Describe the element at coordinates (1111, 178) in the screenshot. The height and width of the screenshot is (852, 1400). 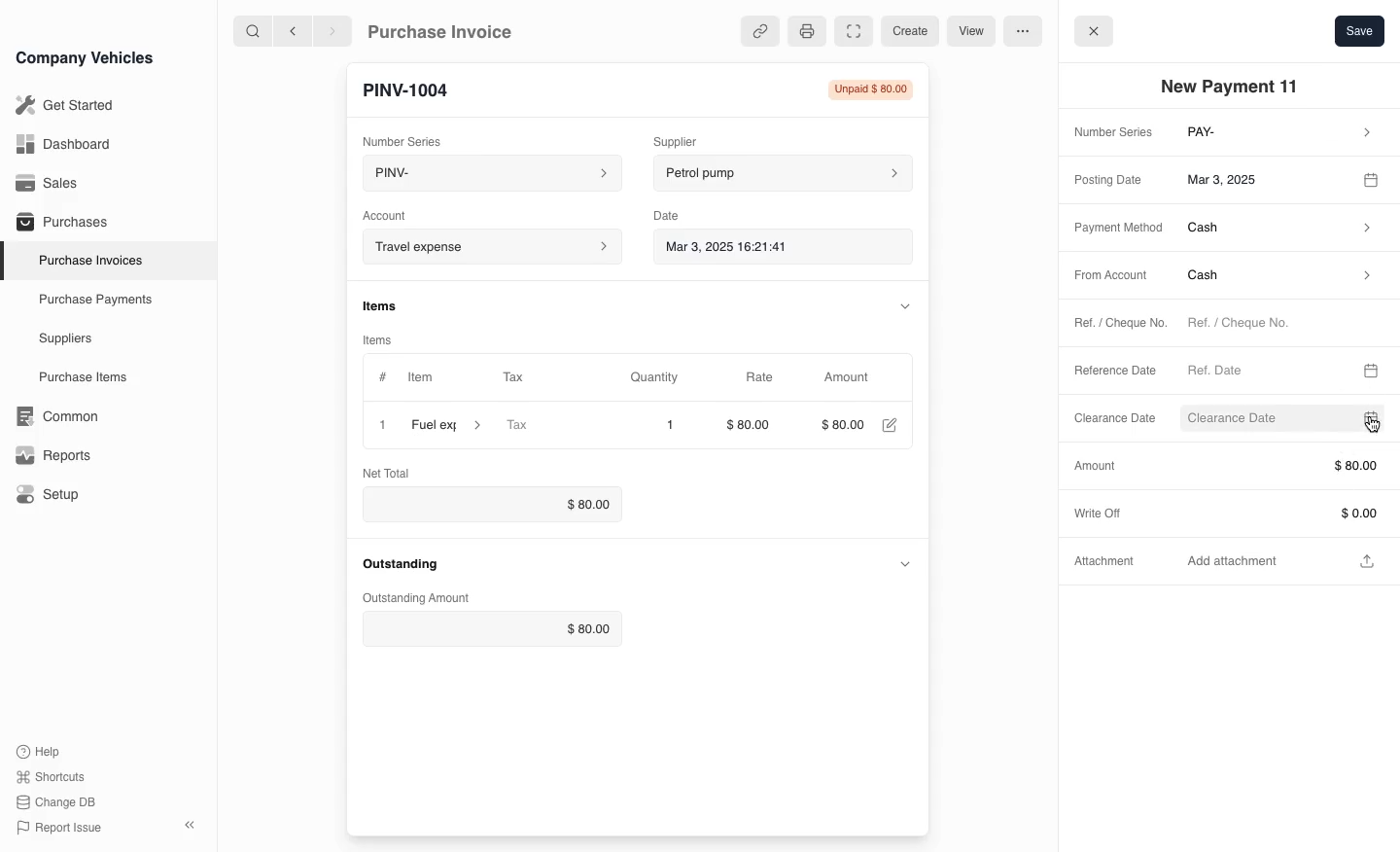
I see `Posting Date` at that location.